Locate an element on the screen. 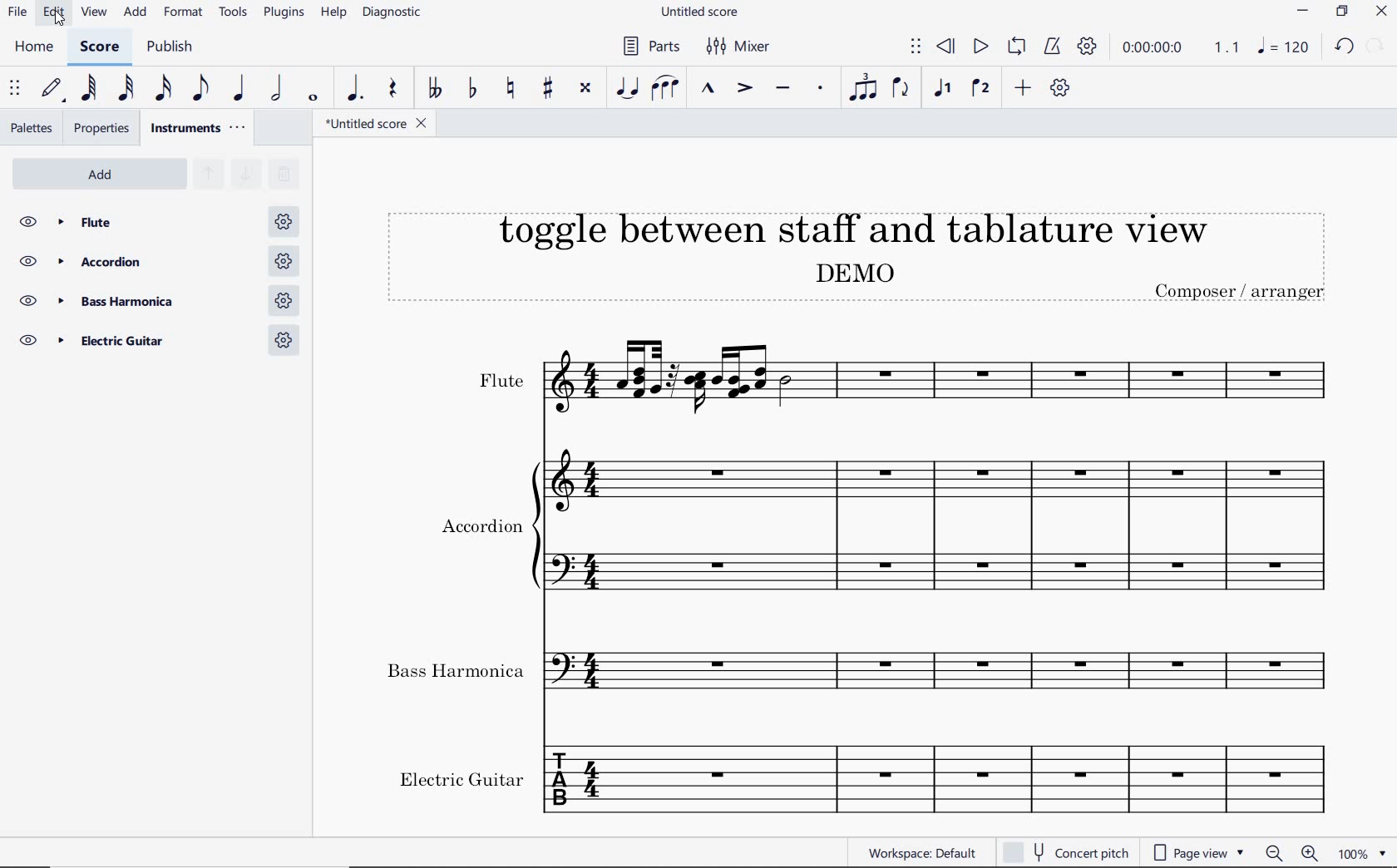  diagnostic is located at coordinates (396, 15).